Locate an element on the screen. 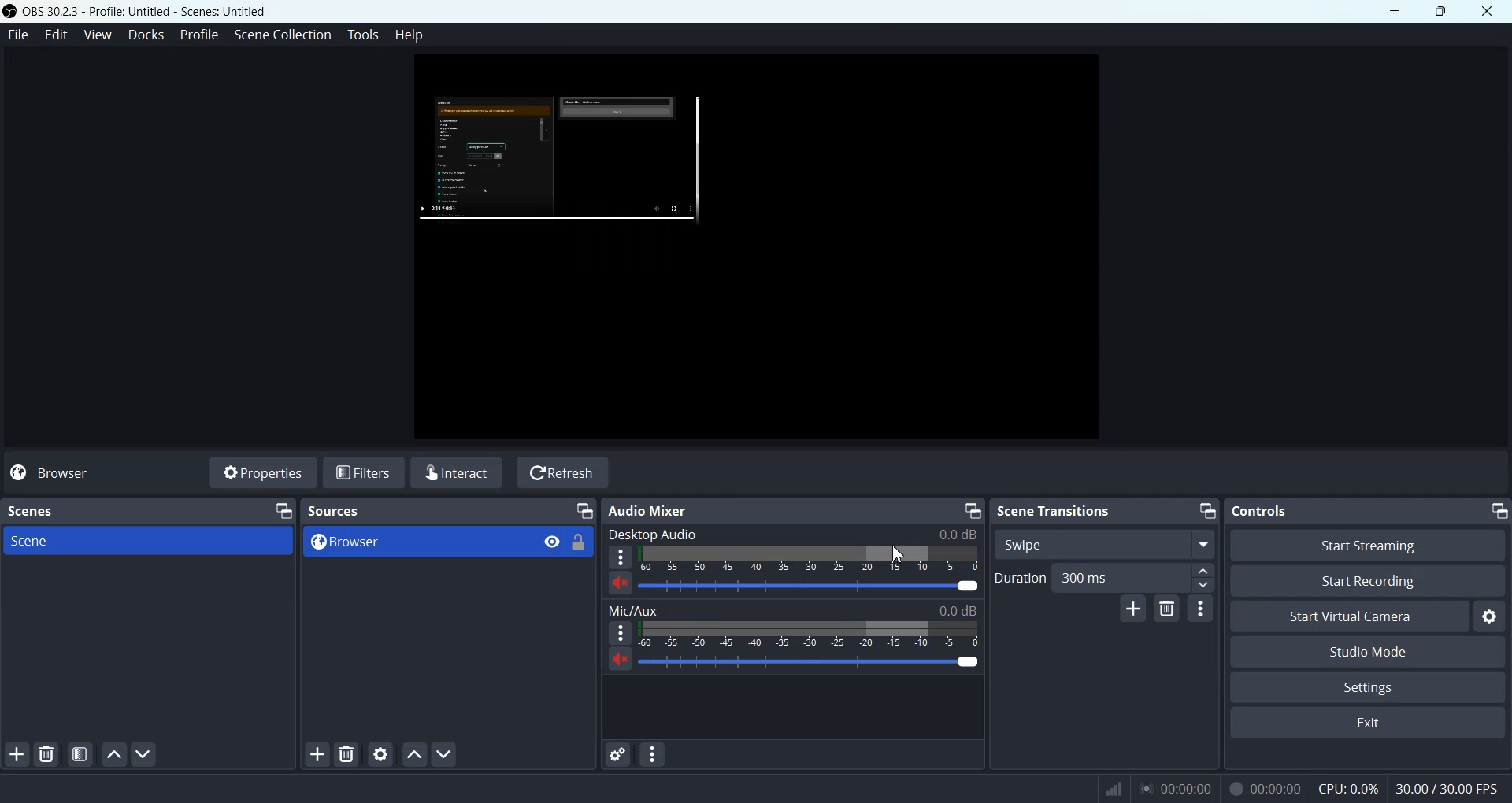 Image resolution: width=1512 pixels, height=803 pixels. 00:00:00 is located at coordinates (1263, 788).